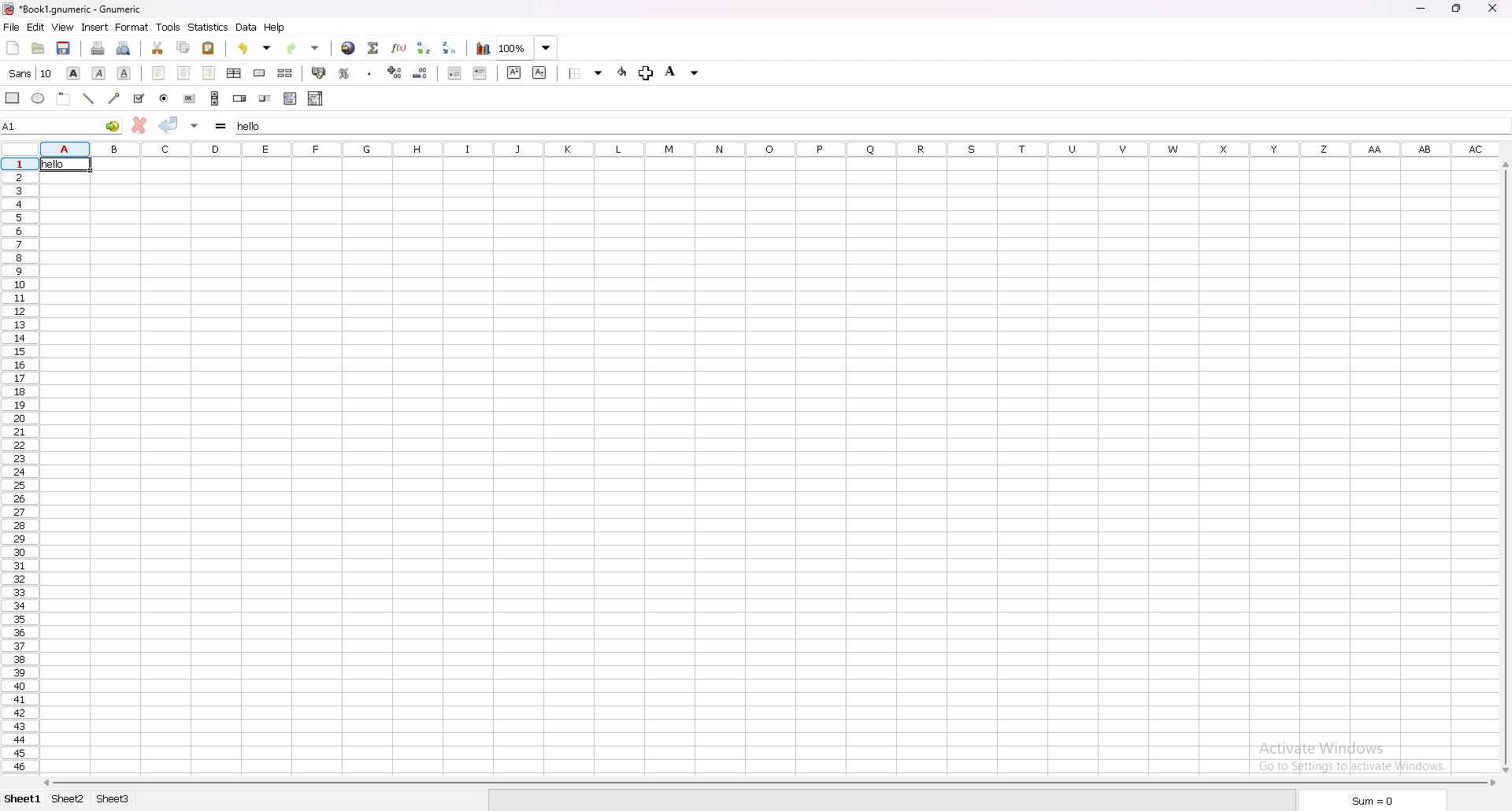  What do you see at coordinates (317, 98) in the screenshot?
I see `combo box` at bounding box center [317, 98].